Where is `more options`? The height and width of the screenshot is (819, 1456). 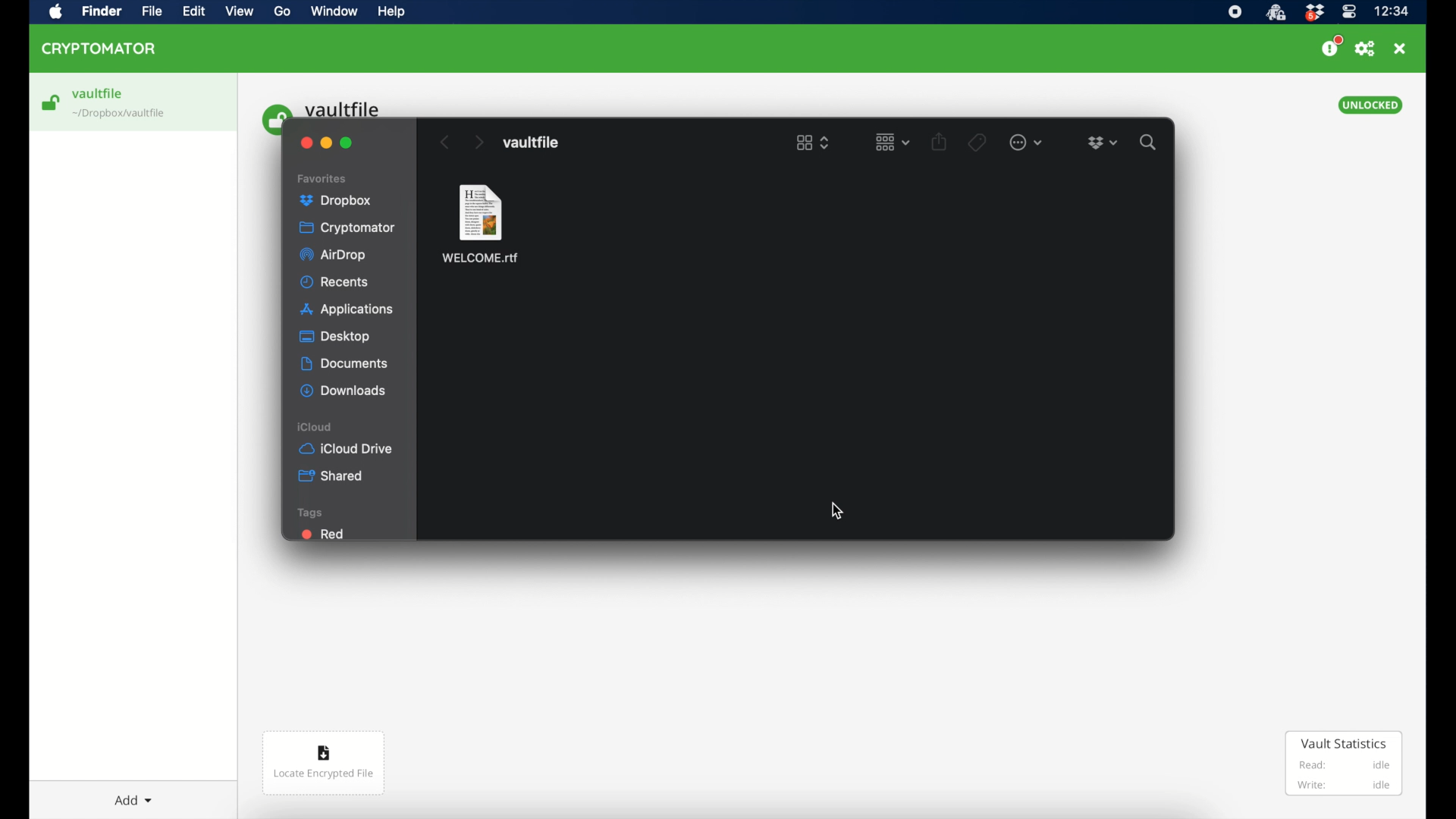
more options is located at coordinates (1027, 143).